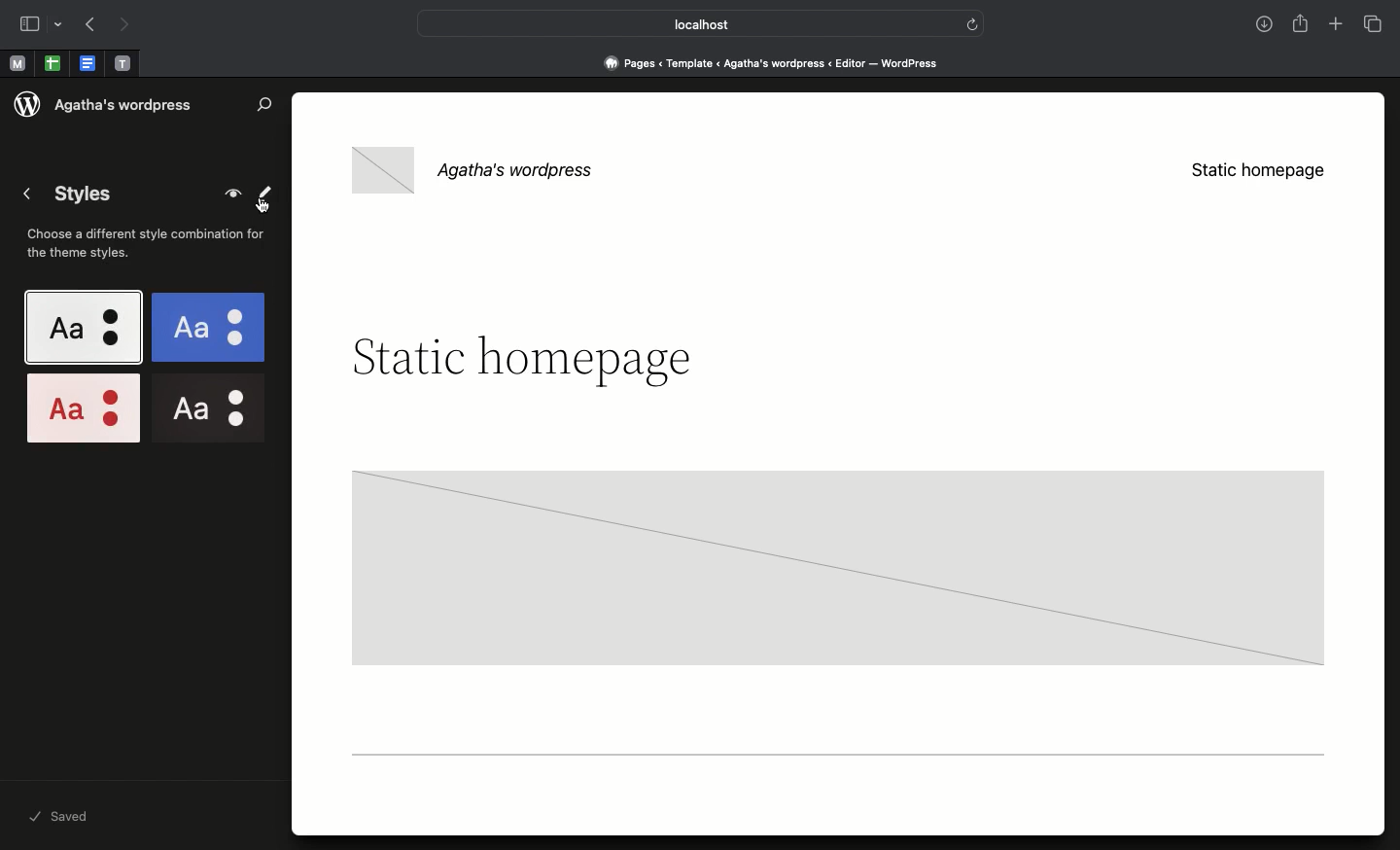 This screenshot has height=850, width=1400. Describe the element at coordinates (229, 195) in the screenshot. I see `View` at that location.